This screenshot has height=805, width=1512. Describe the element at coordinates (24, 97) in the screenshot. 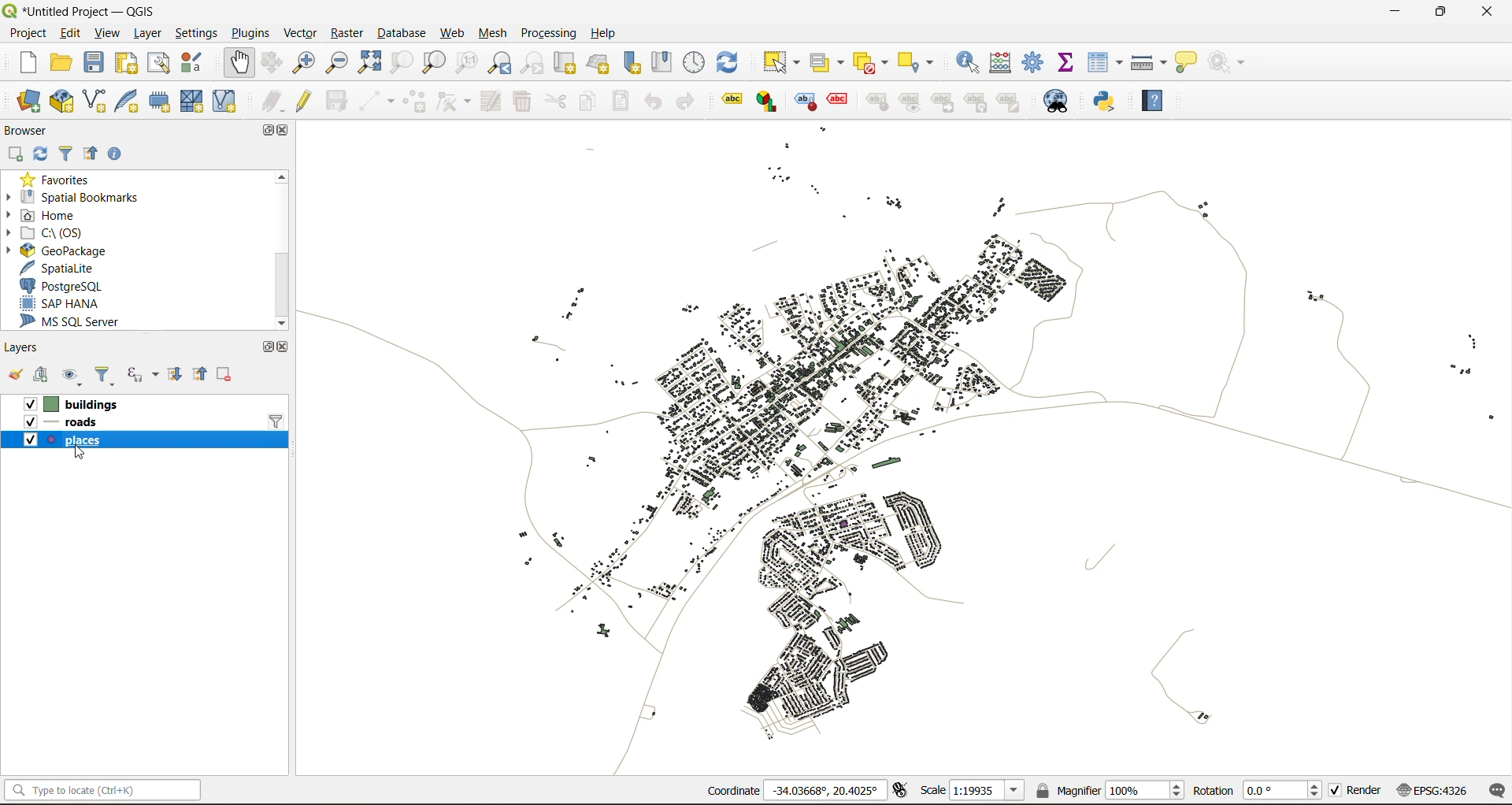

I see `open datasource manager` at that location.